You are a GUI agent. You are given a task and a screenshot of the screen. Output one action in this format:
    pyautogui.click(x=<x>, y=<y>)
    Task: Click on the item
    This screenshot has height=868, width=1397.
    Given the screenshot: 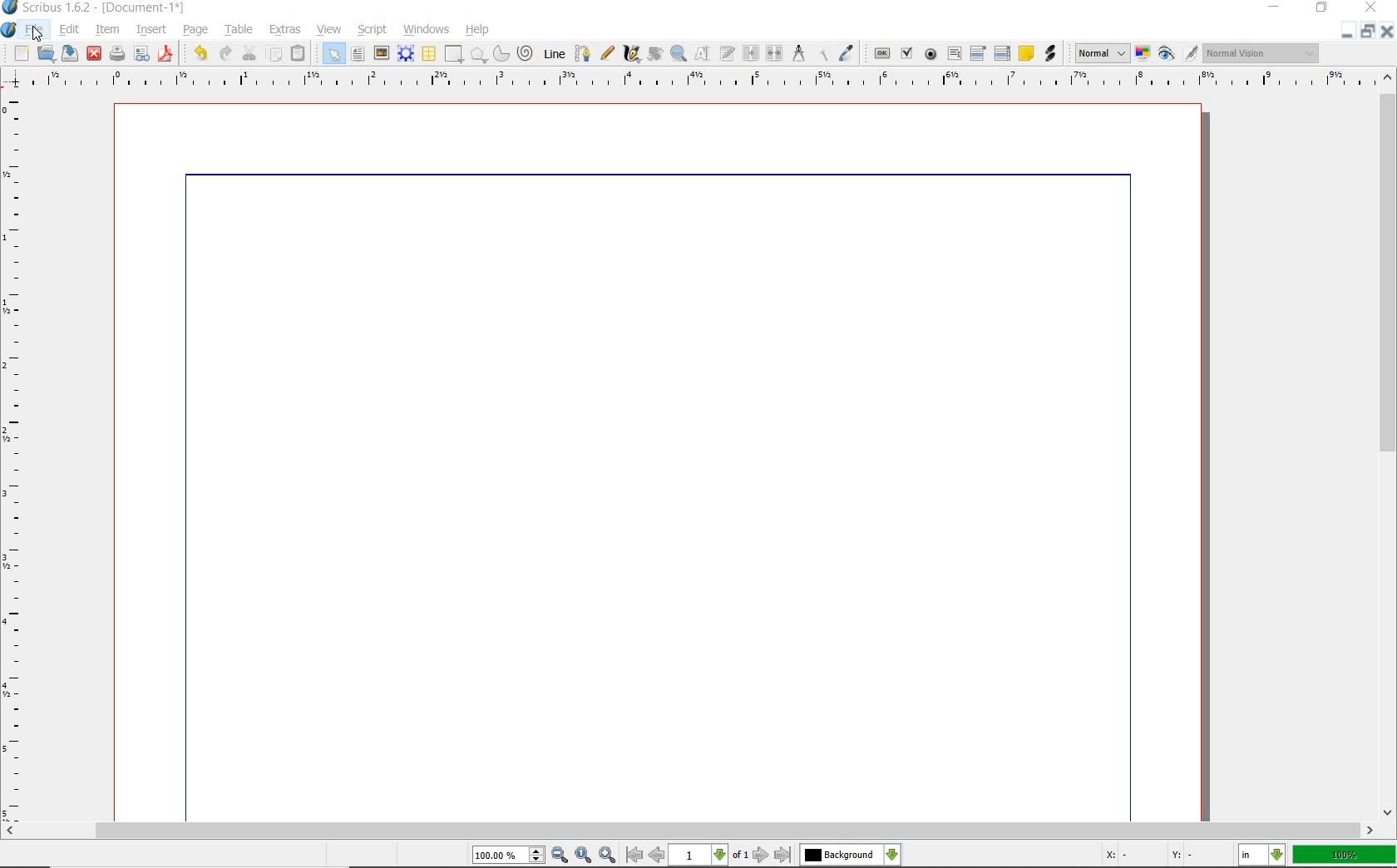 What is the action you would take?
    pyautogui.click(x=108, y=31)
    